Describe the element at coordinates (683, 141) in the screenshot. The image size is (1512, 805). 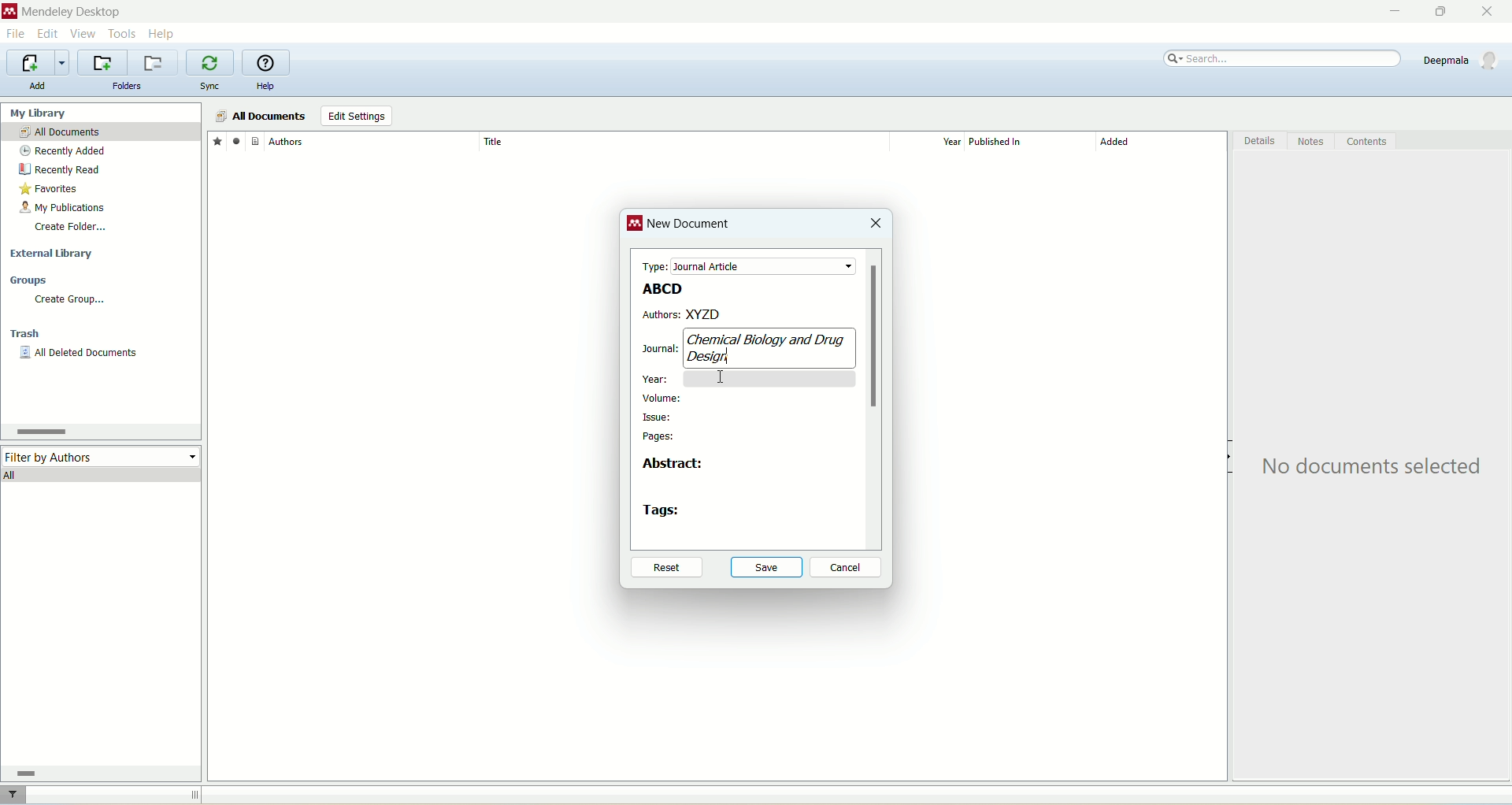
I see `title` at that location.